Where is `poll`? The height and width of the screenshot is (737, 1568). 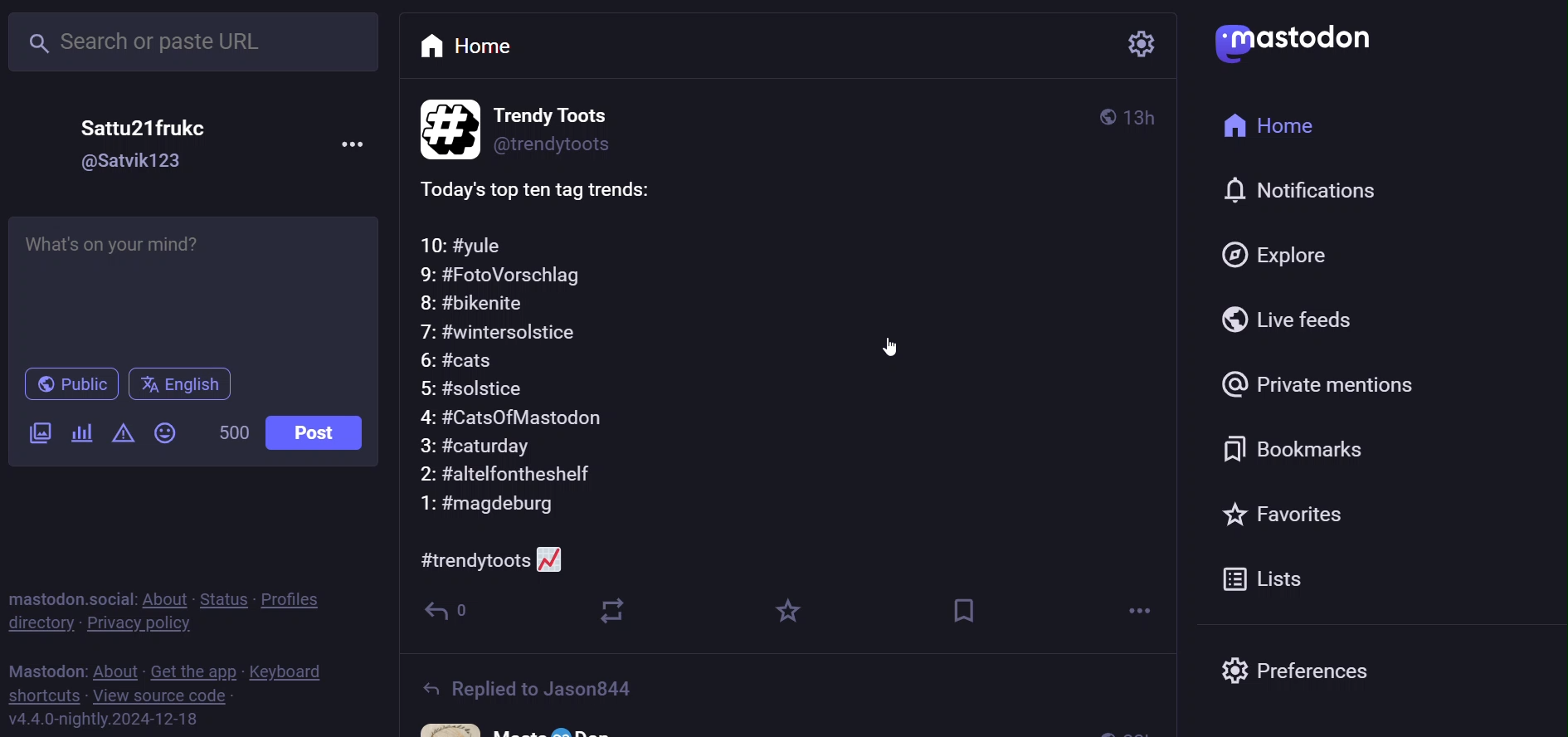 poll is located at coordinates (81, 431).